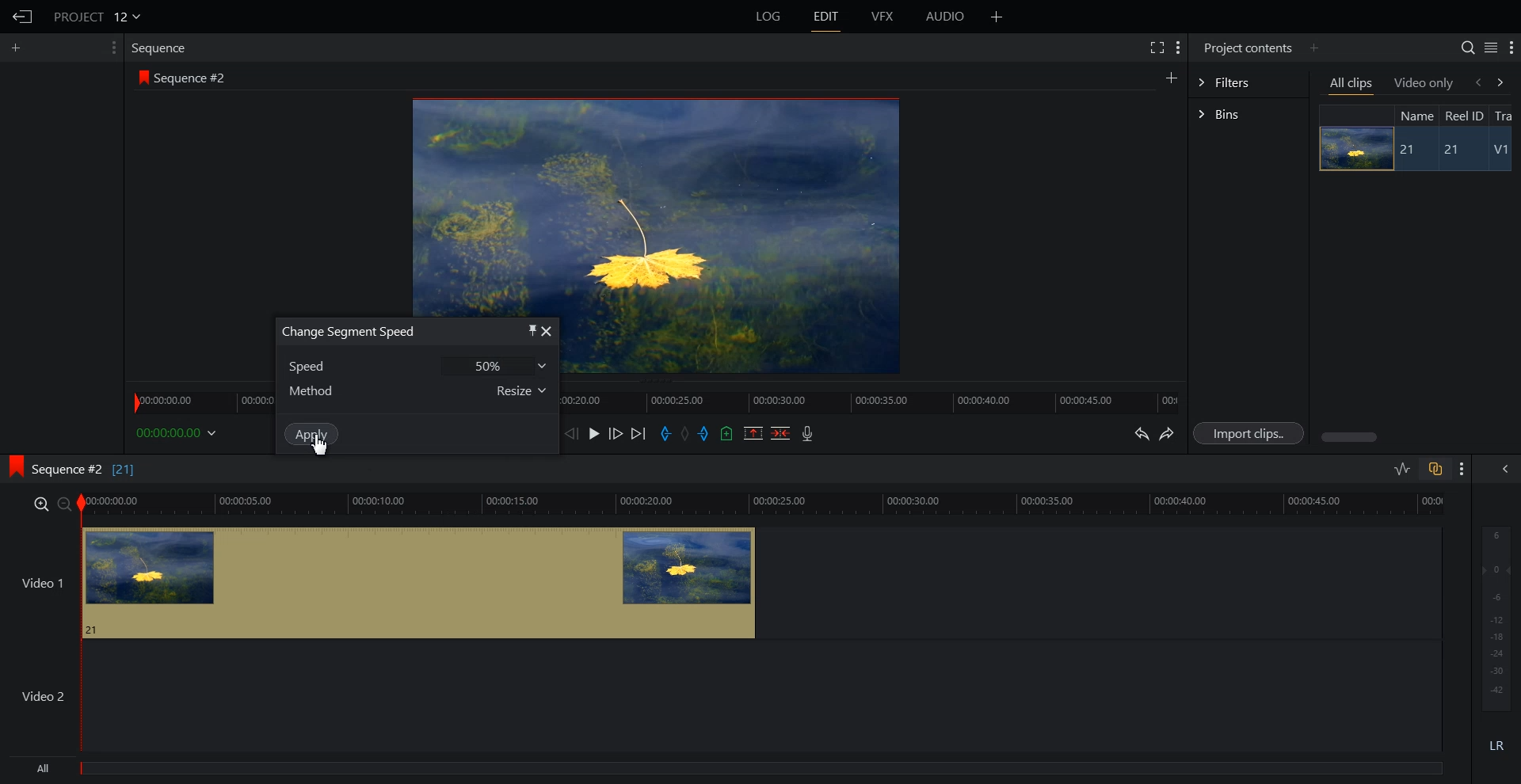 This screenshot has width=1521, height=784. I want to click on Show setting menu, so click(1511, 48).